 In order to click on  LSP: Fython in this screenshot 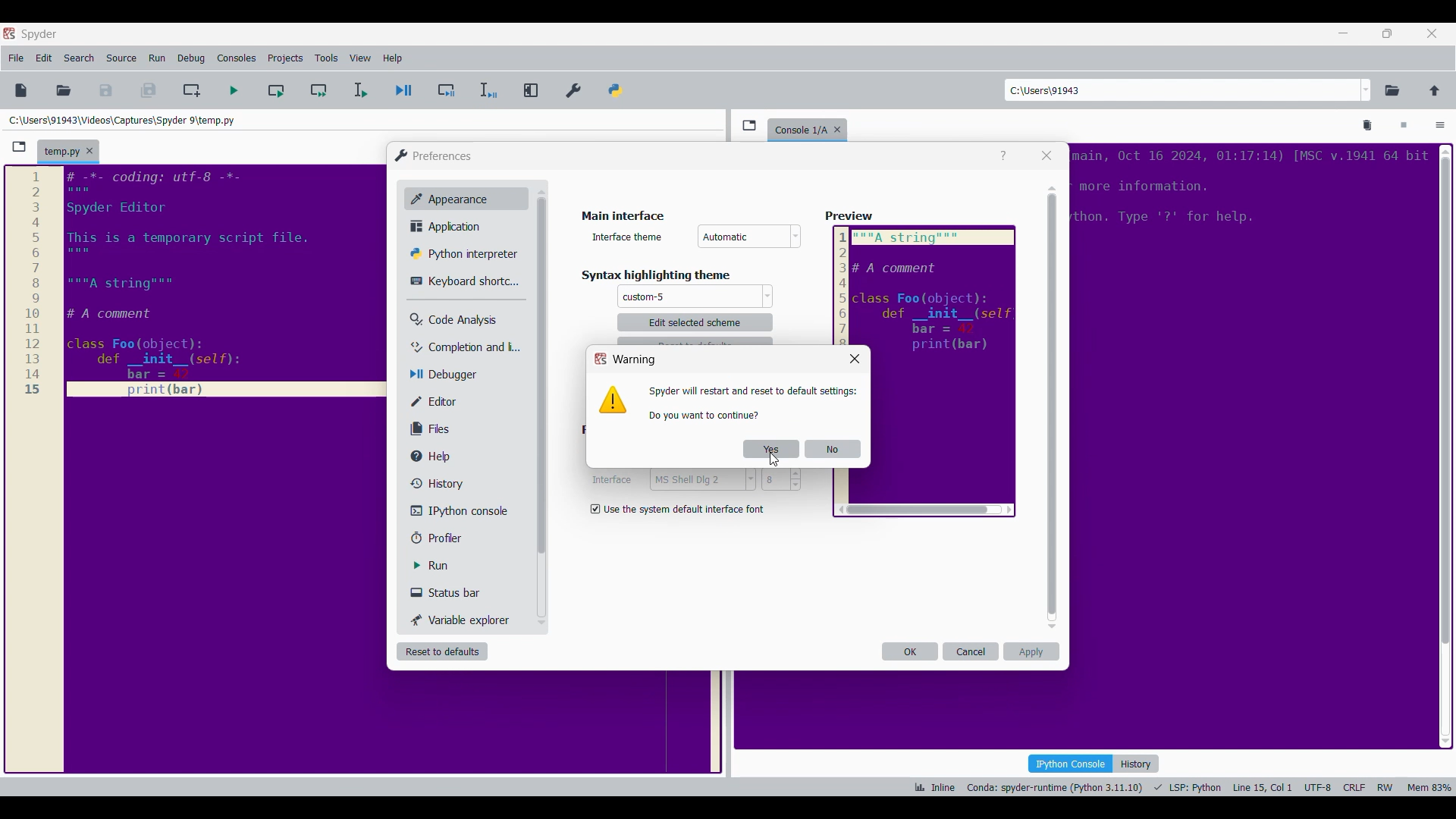, I will do `click(1190, 786)`.